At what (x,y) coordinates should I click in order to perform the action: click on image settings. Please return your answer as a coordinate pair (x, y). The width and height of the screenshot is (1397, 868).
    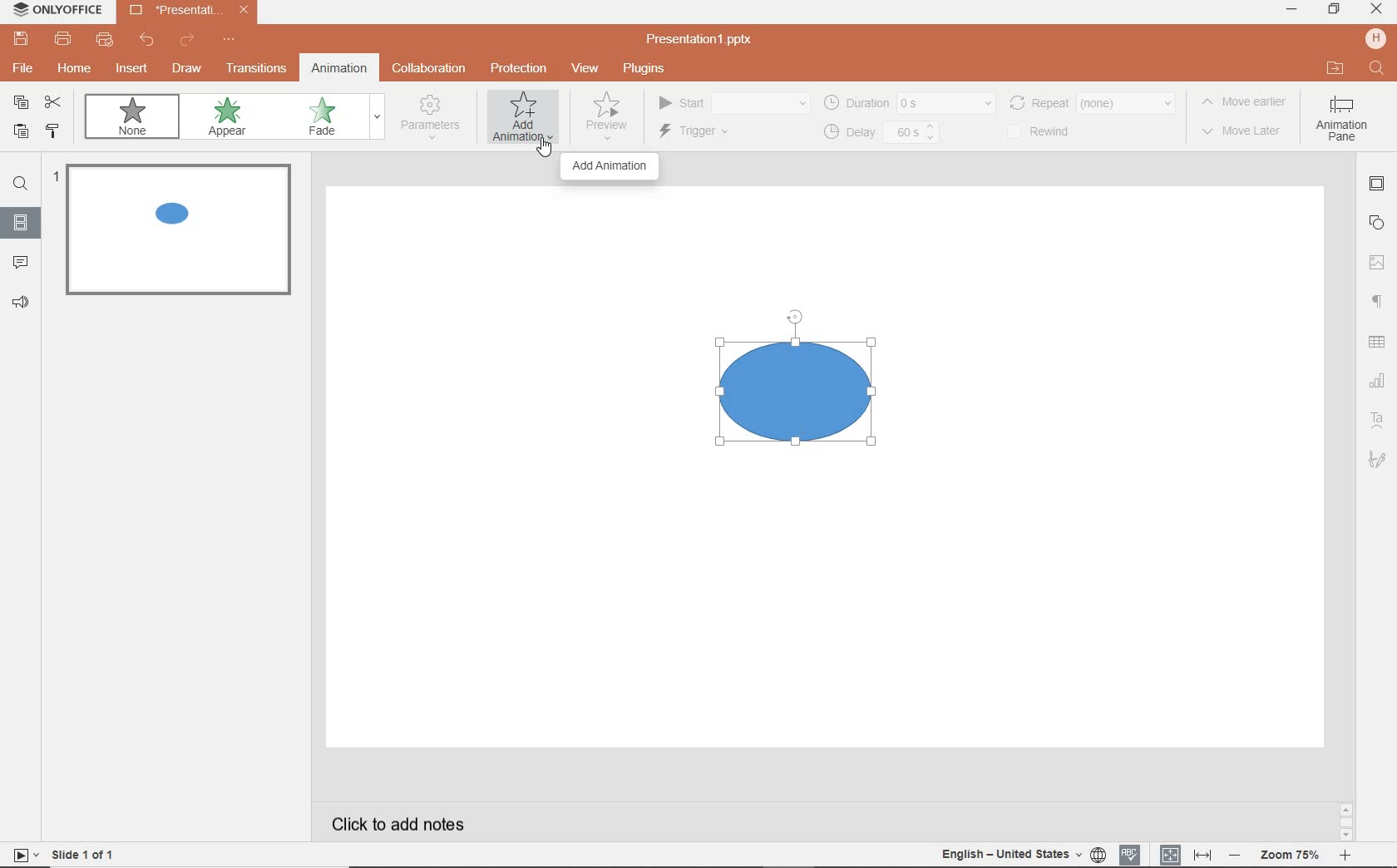
    Looking at the image, I should click on (1380, 259).